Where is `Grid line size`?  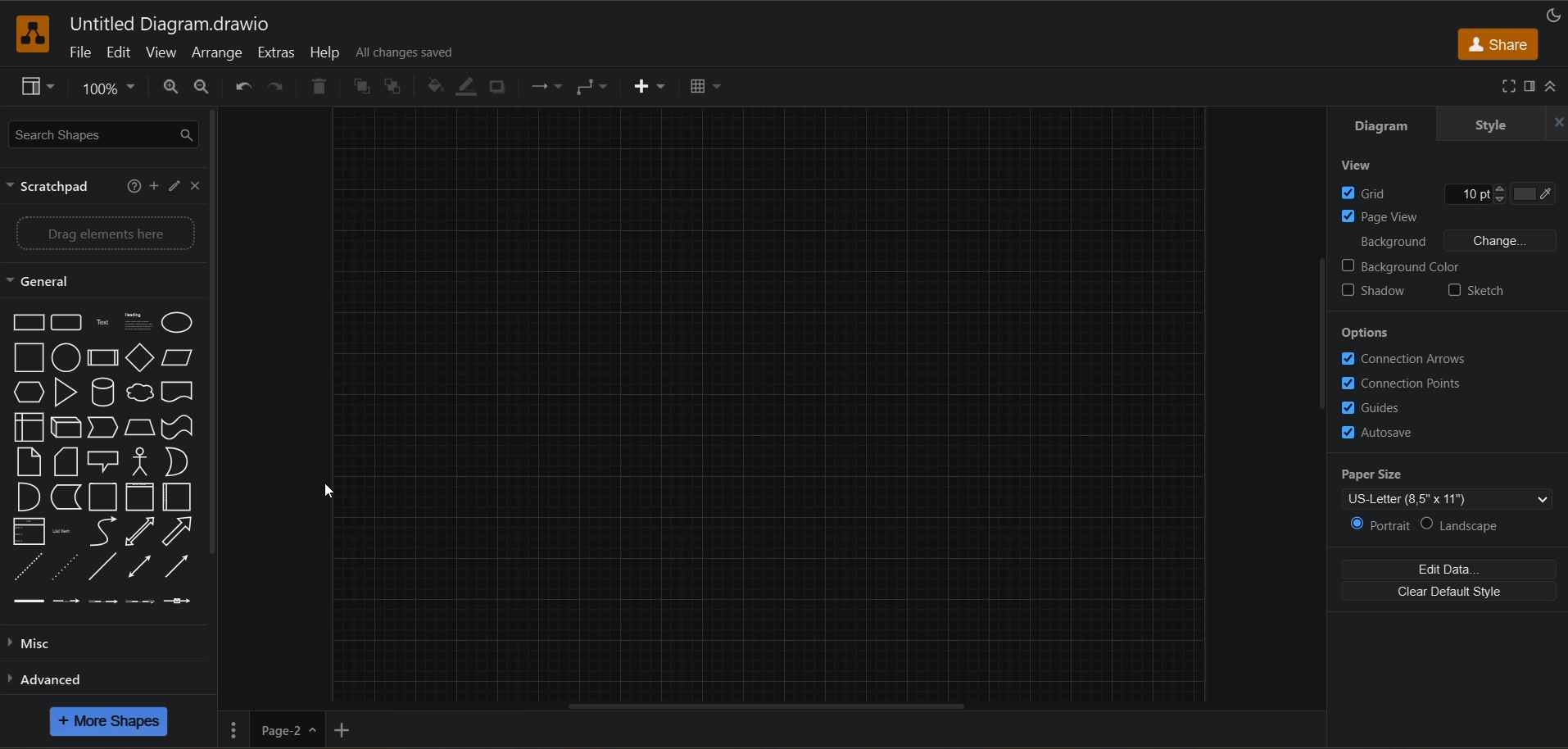
Grid line size is located at coordinates (1464, 193).